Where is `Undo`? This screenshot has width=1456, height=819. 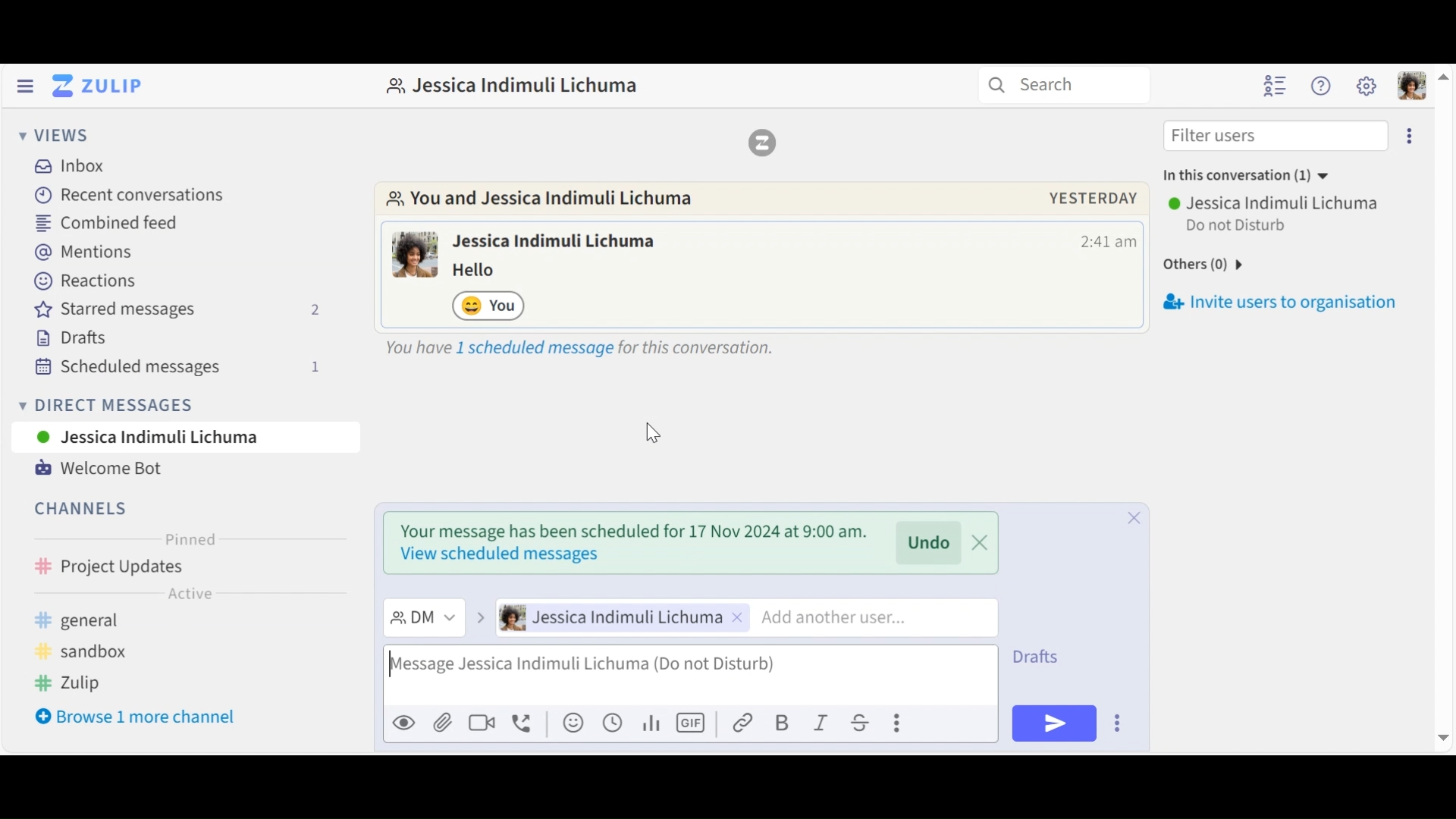
Undo is located at coordinates (931, 543).